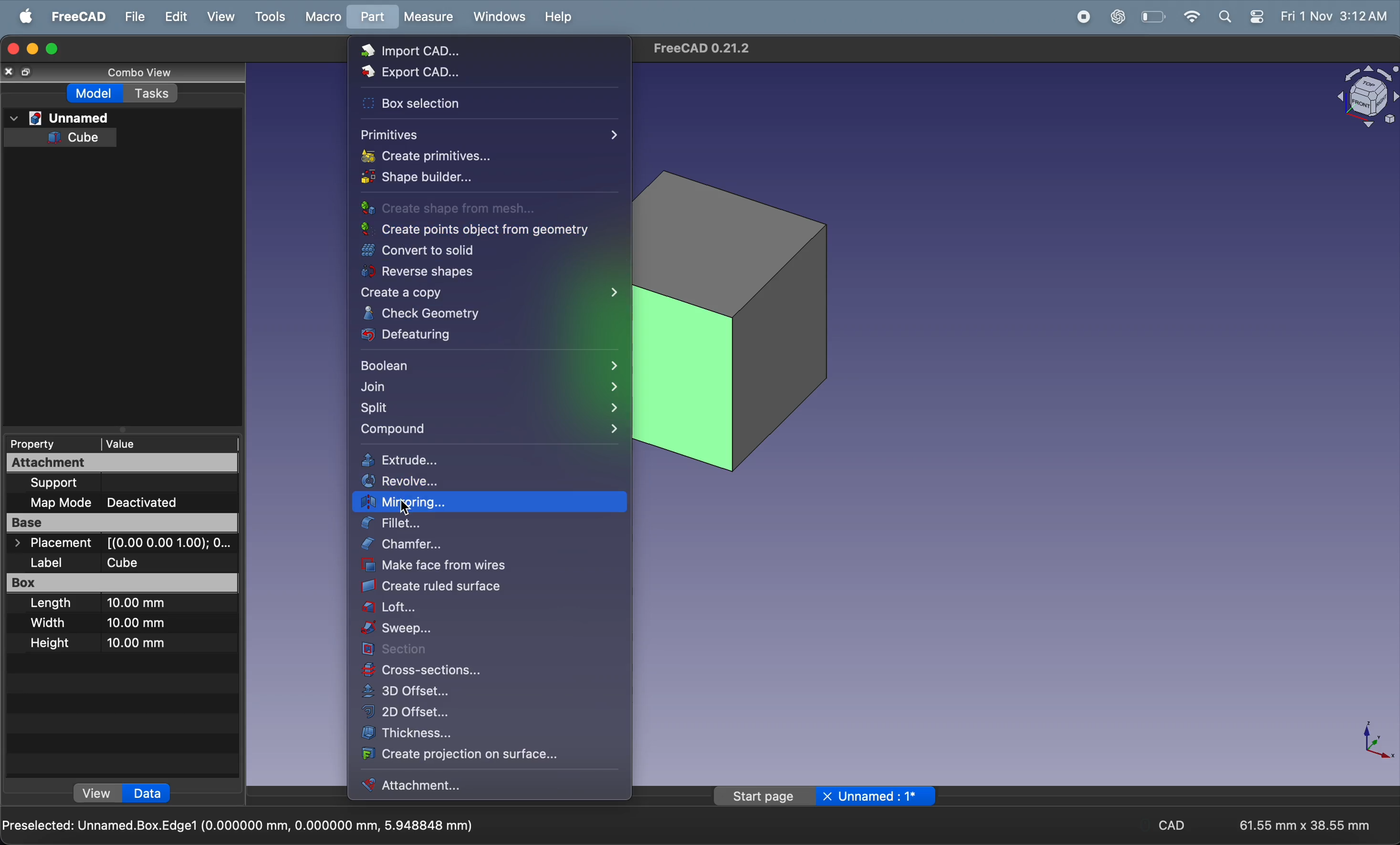 The image size is (1400, 845). What do you see at coordinates (474, 271) in the screenshot?
I see `reverse shapes` at bounding box center [474, 271].